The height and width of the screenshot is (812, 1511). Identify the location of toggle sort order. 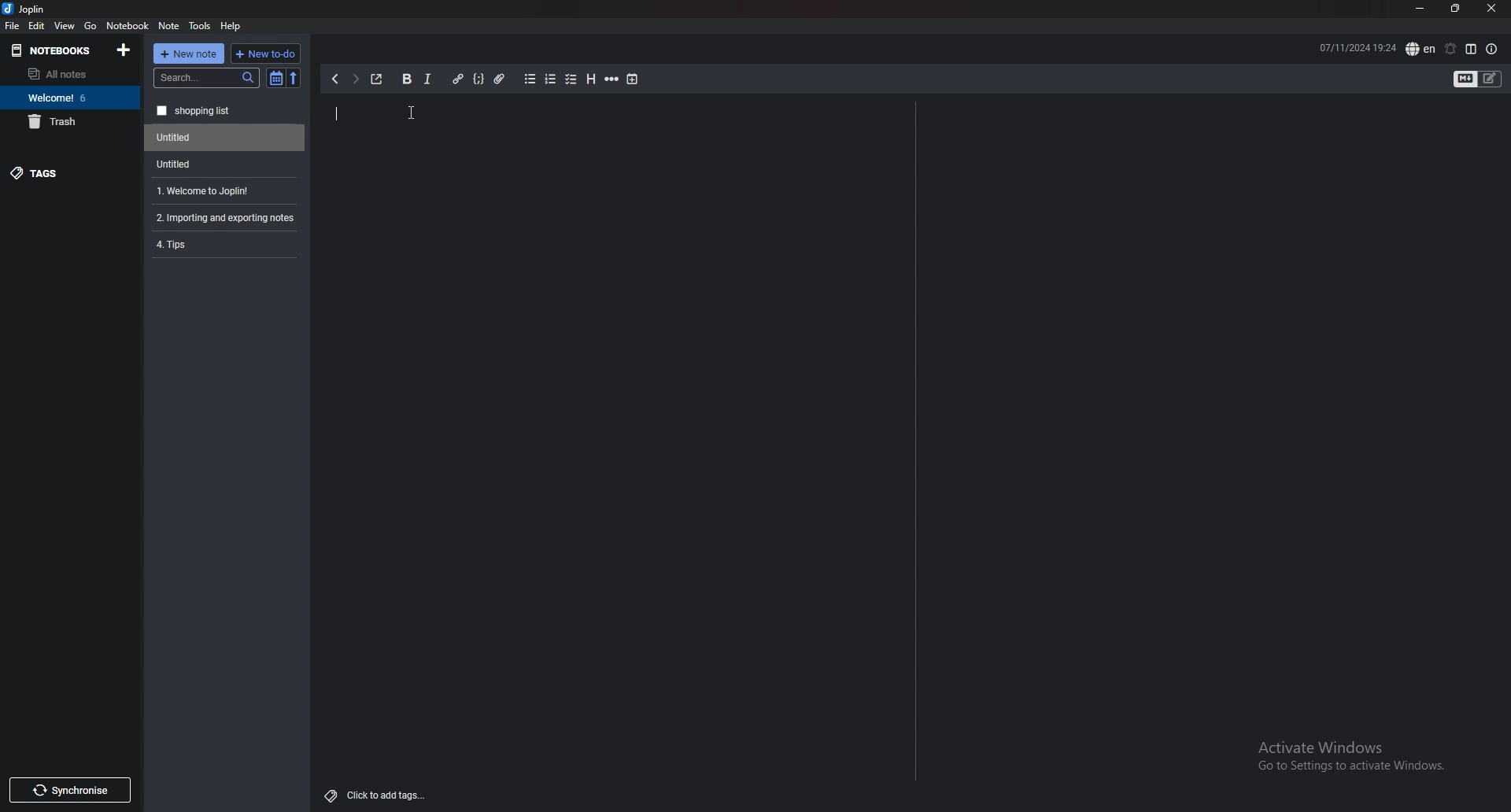
(276, 79).